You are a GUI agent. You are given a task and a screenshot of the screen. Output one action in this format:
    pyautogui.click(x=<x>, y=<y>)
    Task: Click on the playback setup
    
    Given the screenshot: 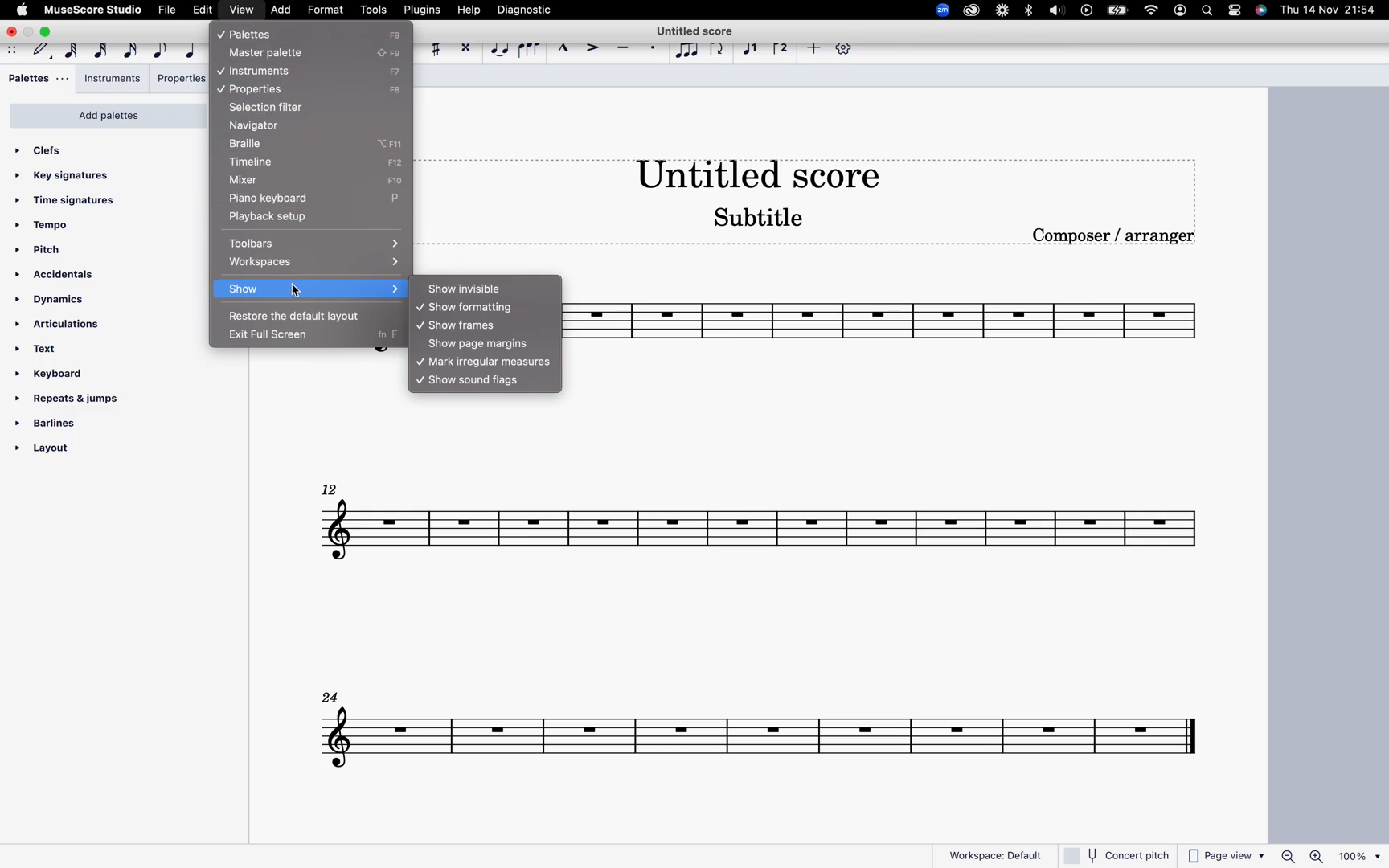 What is the action you would take?
    pyautogui.click(x=288, y=215)
    